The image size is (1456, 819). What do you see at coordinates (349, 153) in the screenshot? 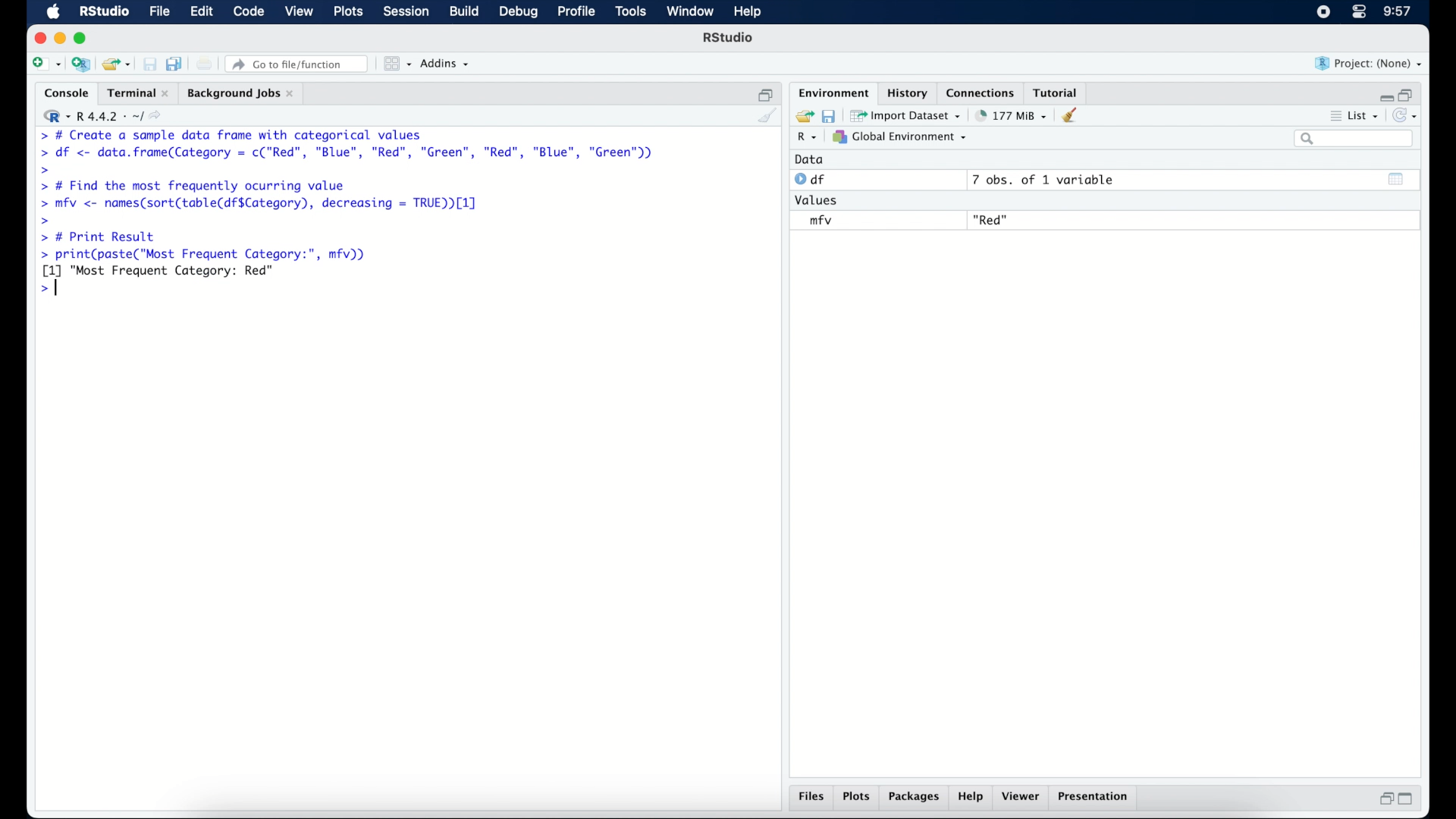
I see `> df <- data.frame(Category = c("Red”, "Blue", "Red", "Green", "Red", "Blue", "Green"))|` at bounding box center [349, 153].